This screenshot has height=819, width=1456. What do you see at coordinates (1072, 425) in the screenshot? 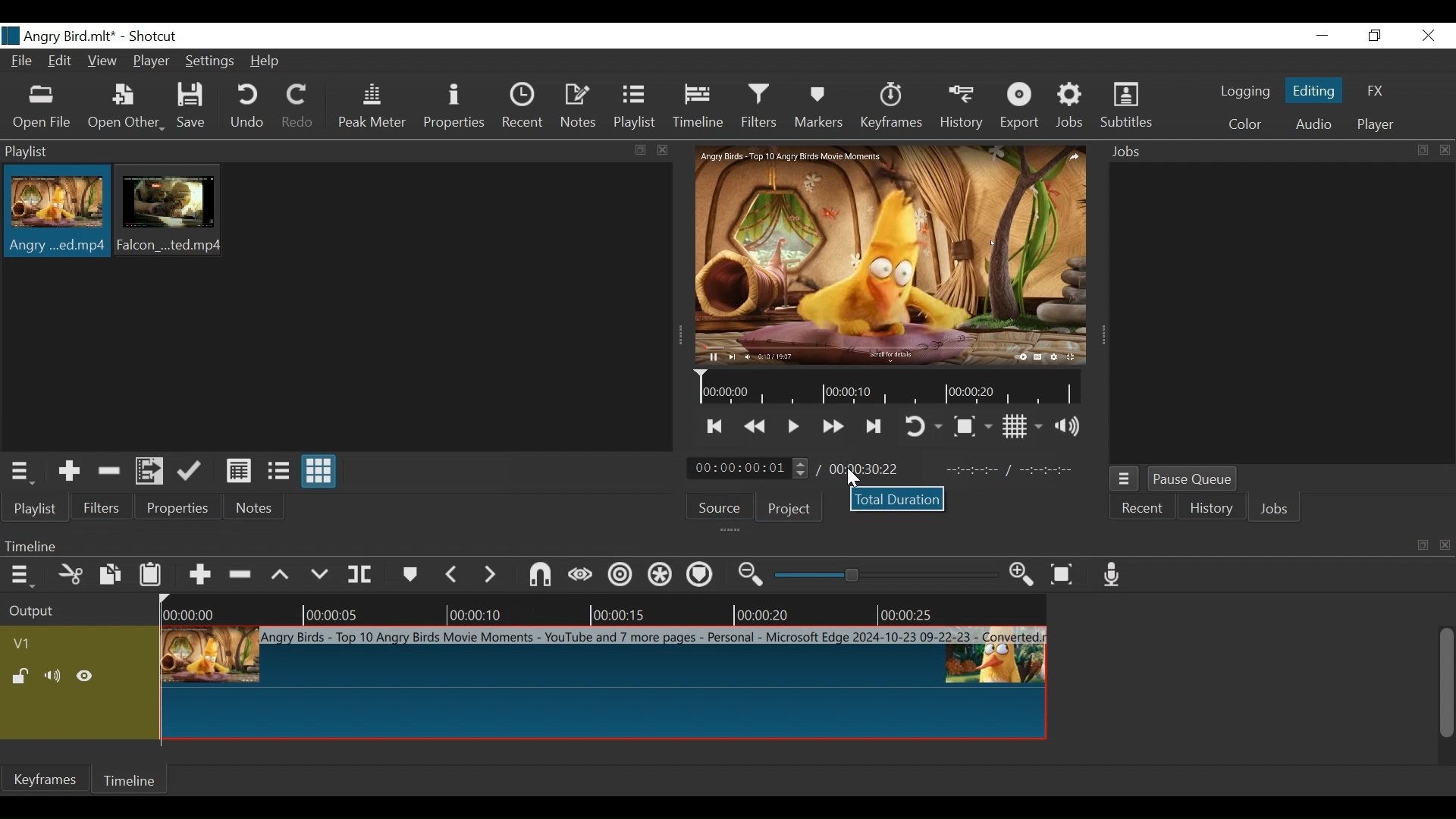
I see `Show volume control` at bounding box center [1072, 425].